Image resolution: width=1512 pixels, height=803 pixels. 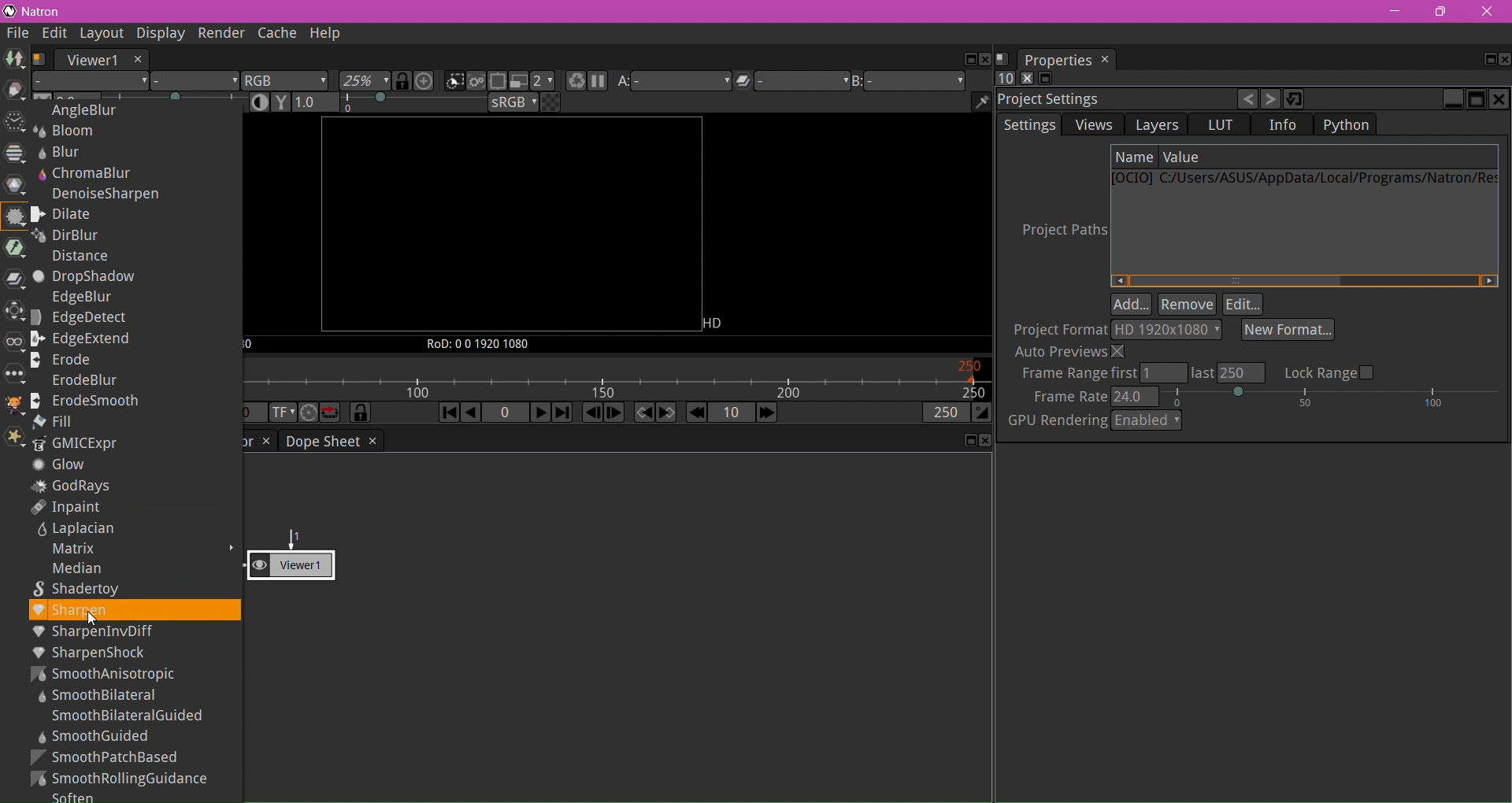 I want to click on Float pane, so click(x=966, y=441).